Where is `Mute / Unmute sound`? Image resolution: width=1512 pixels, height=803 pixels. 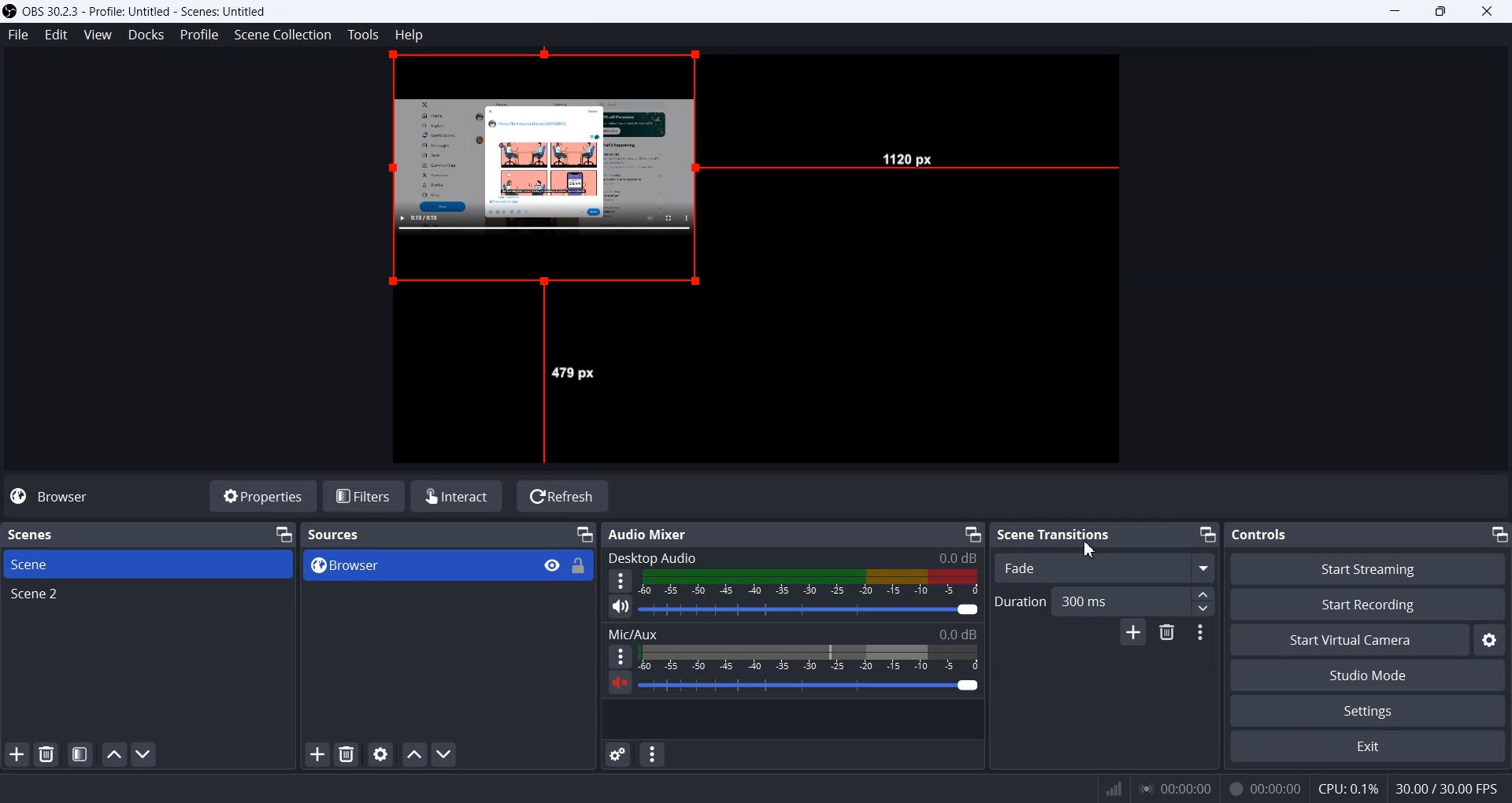
Mute / Unmute sound is located at coordinates (614, 688).